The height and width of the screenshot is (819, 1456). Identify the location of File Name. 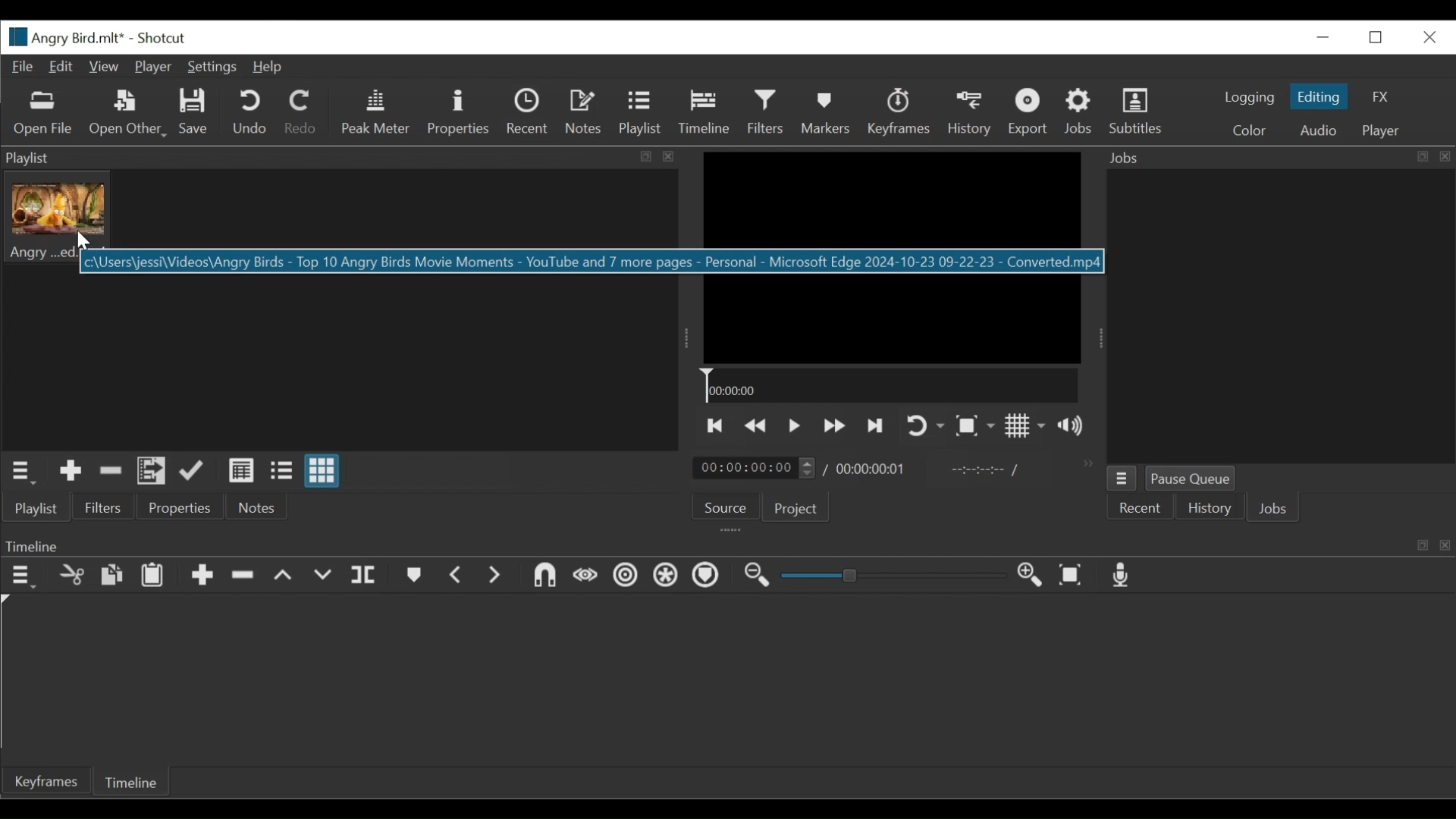
(63, 37).